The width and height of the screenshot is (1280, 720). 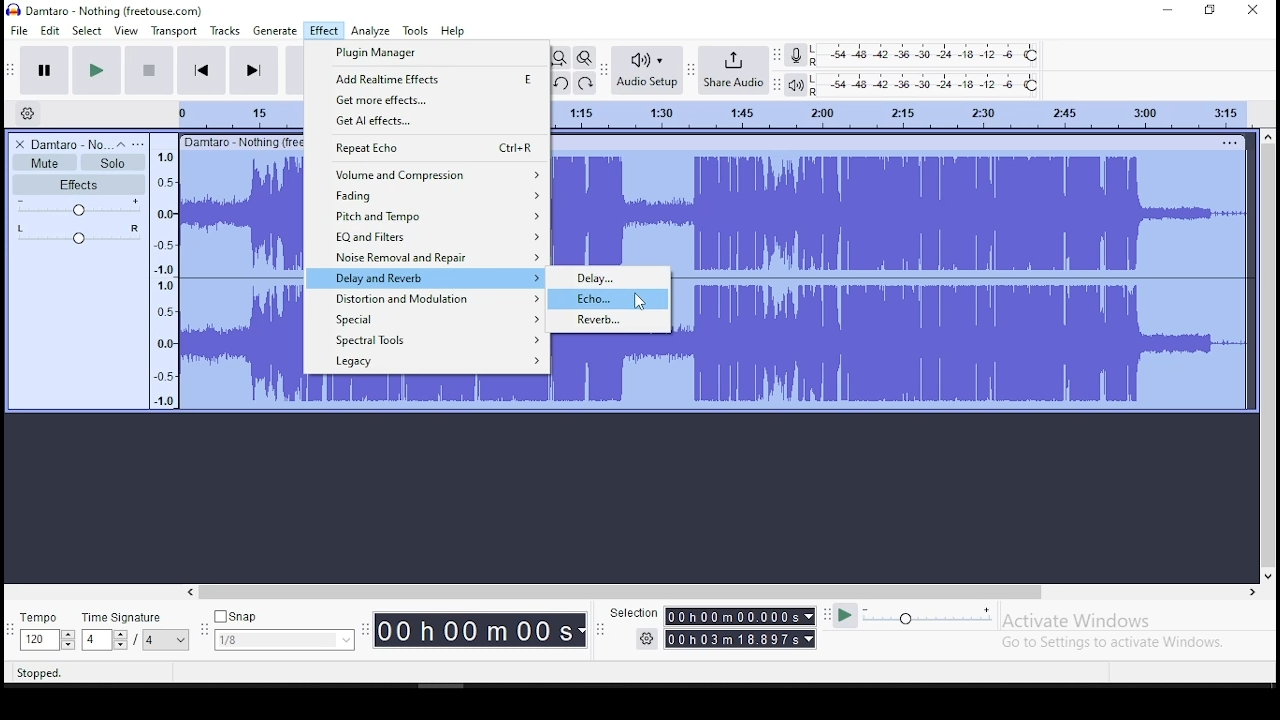 I want to click on fit project to width, so click(x=559, y=58).